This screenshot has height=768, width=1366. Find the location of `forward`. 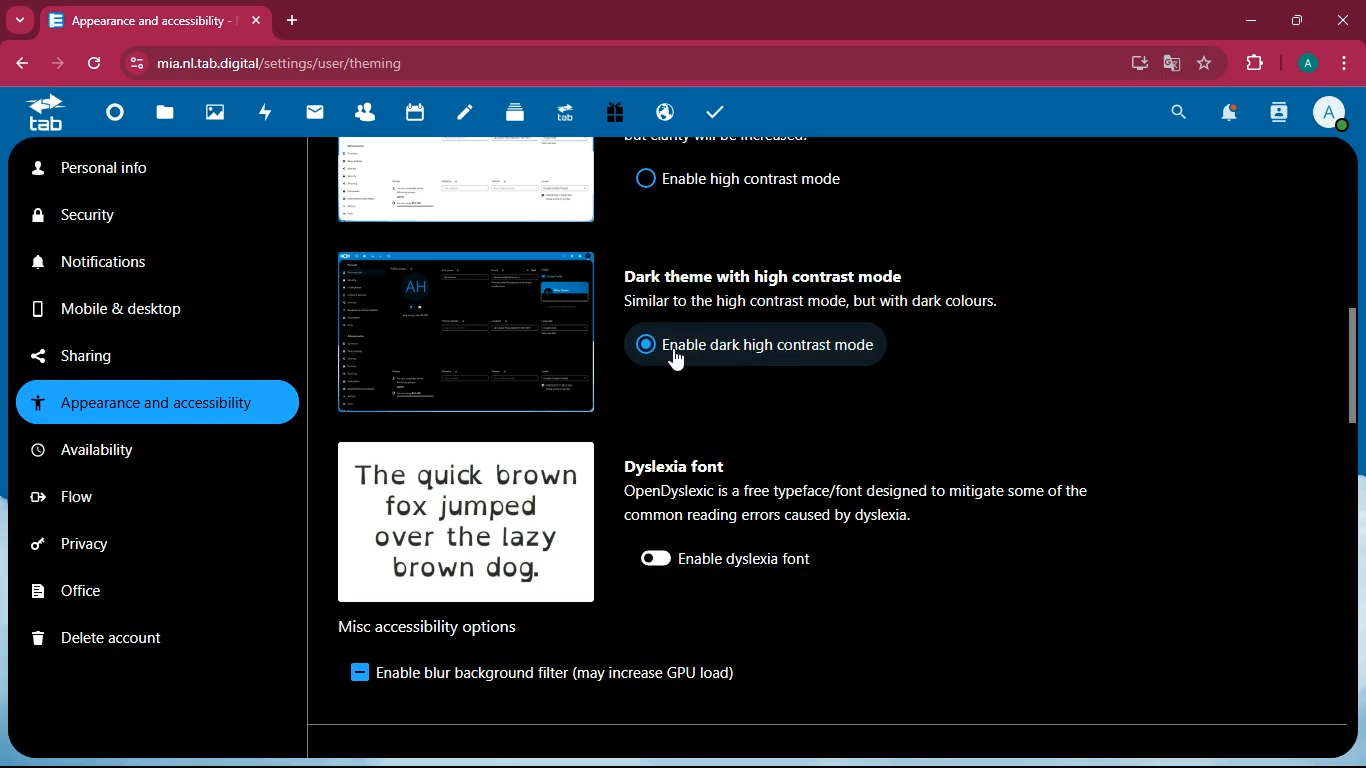

forward is located at coordinates (54, 65).